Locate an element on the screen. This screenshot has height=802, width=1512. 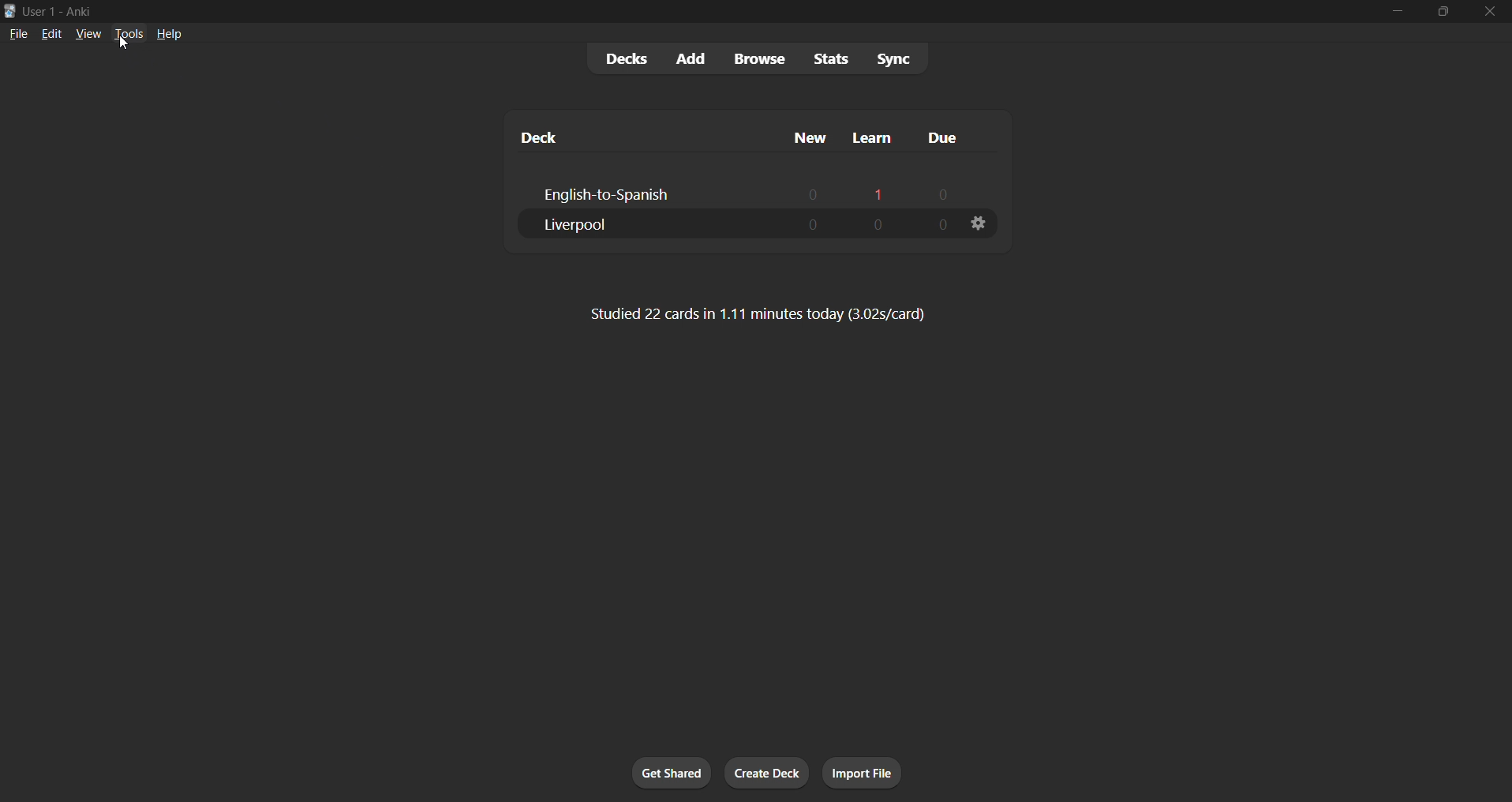
liverpool is located at coordinates (601, 227).